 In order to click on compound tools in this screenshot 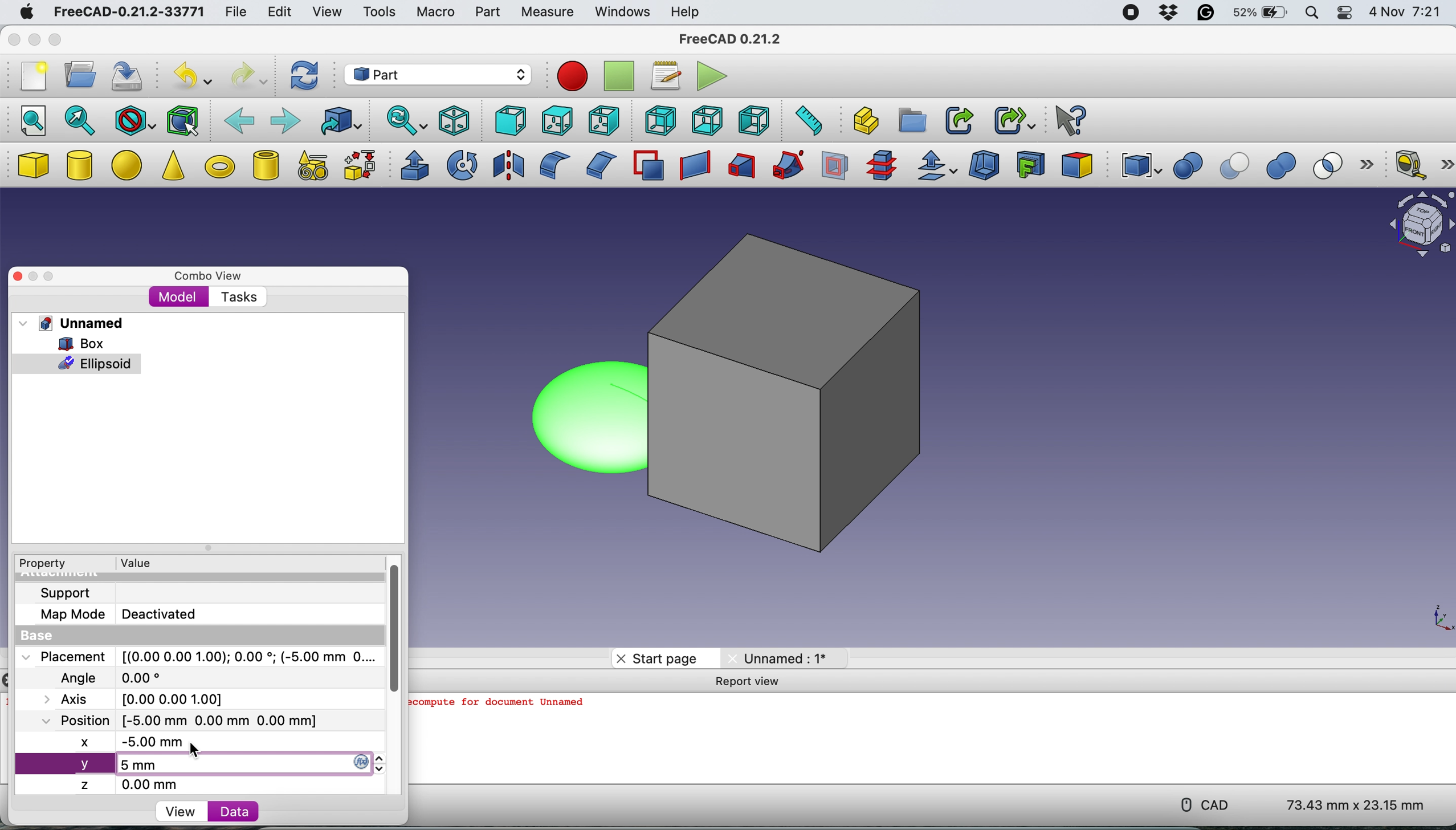, I will do `click(1139, 166)`.